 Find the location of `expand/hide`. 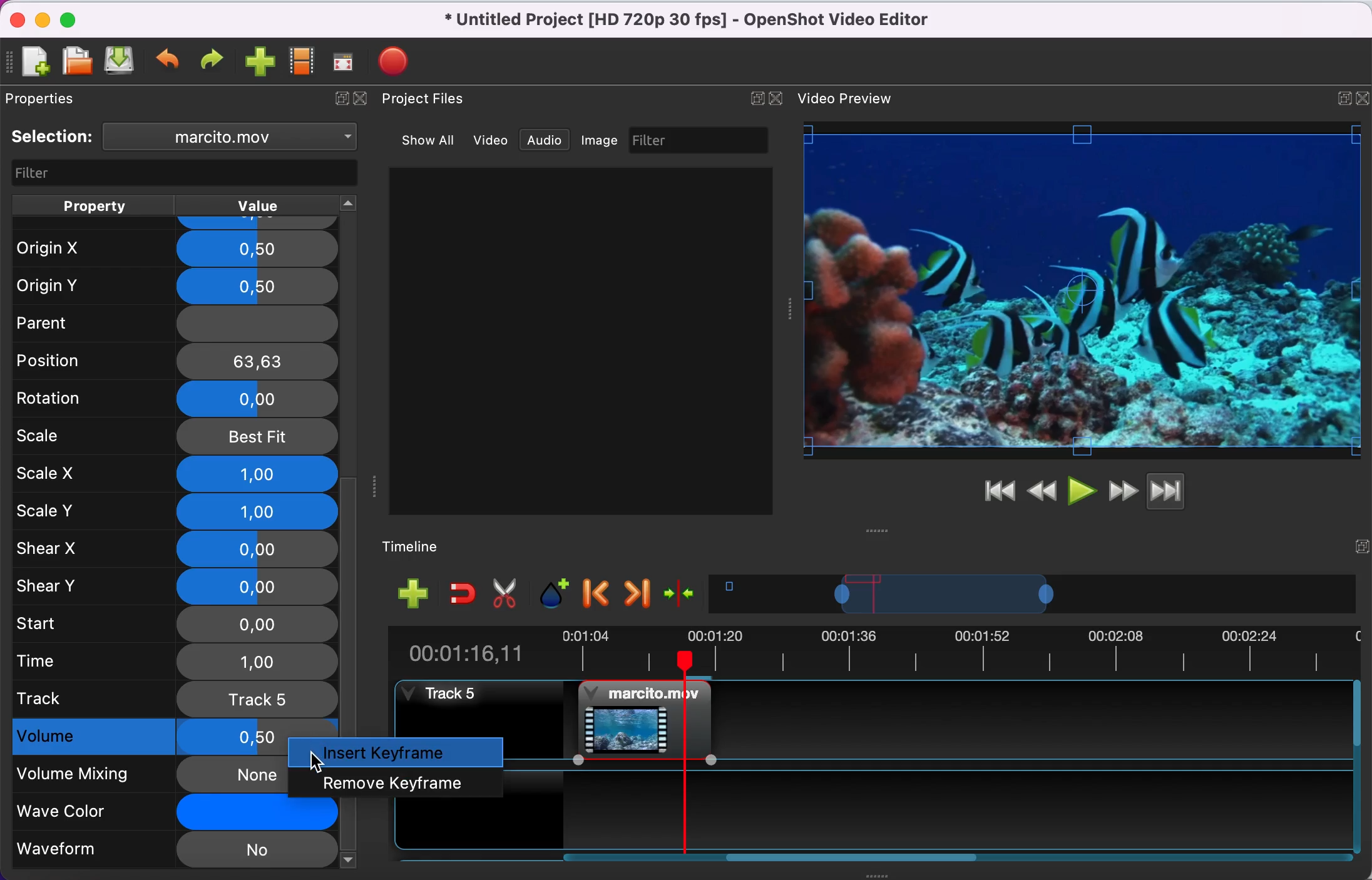

expand/hide is located at coordinates (1363, 95).